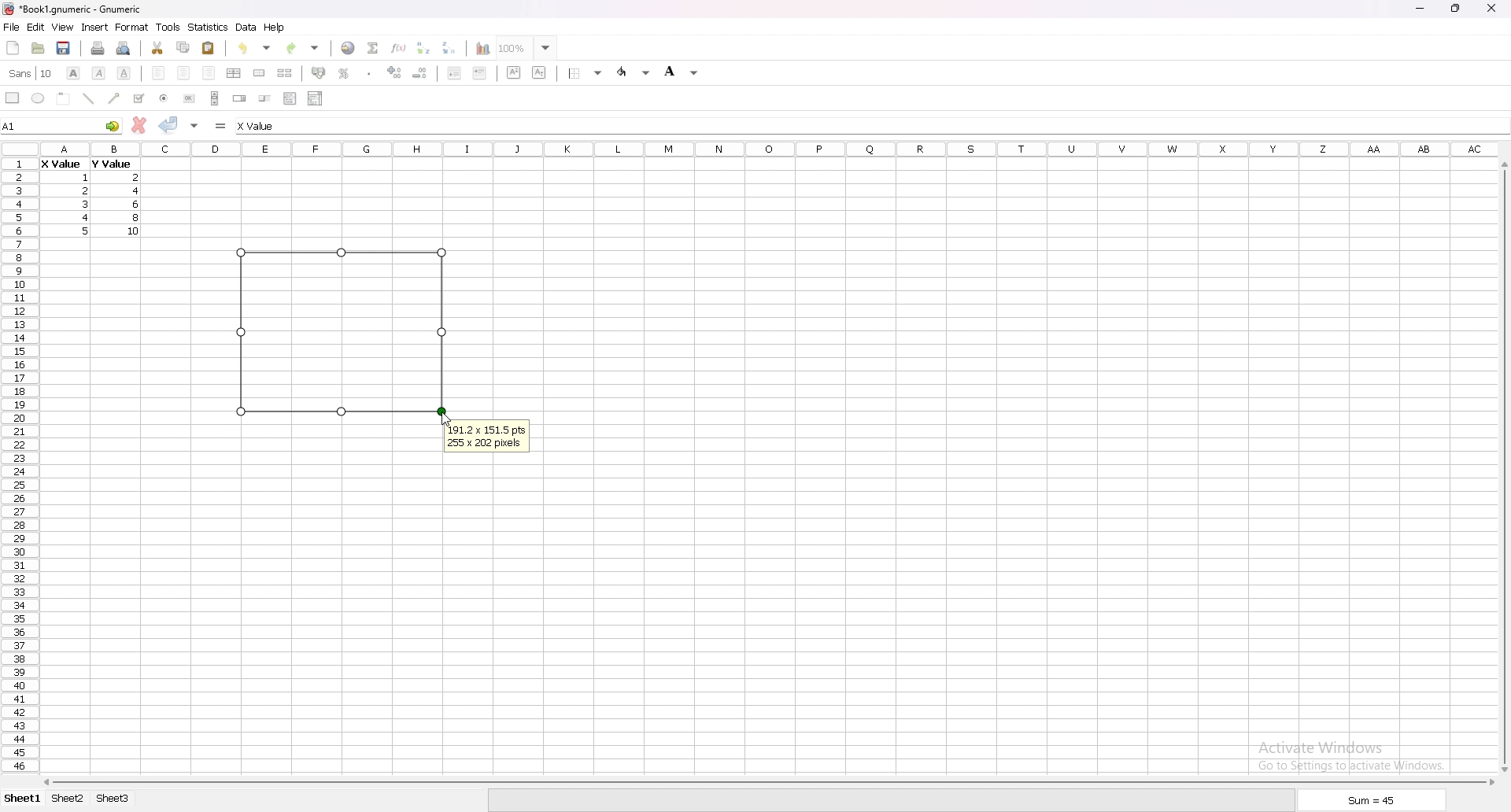  What do you see at coordinates (138, 98) in the screenshot?
I see `tickbox` at bounding box center [138, 98].